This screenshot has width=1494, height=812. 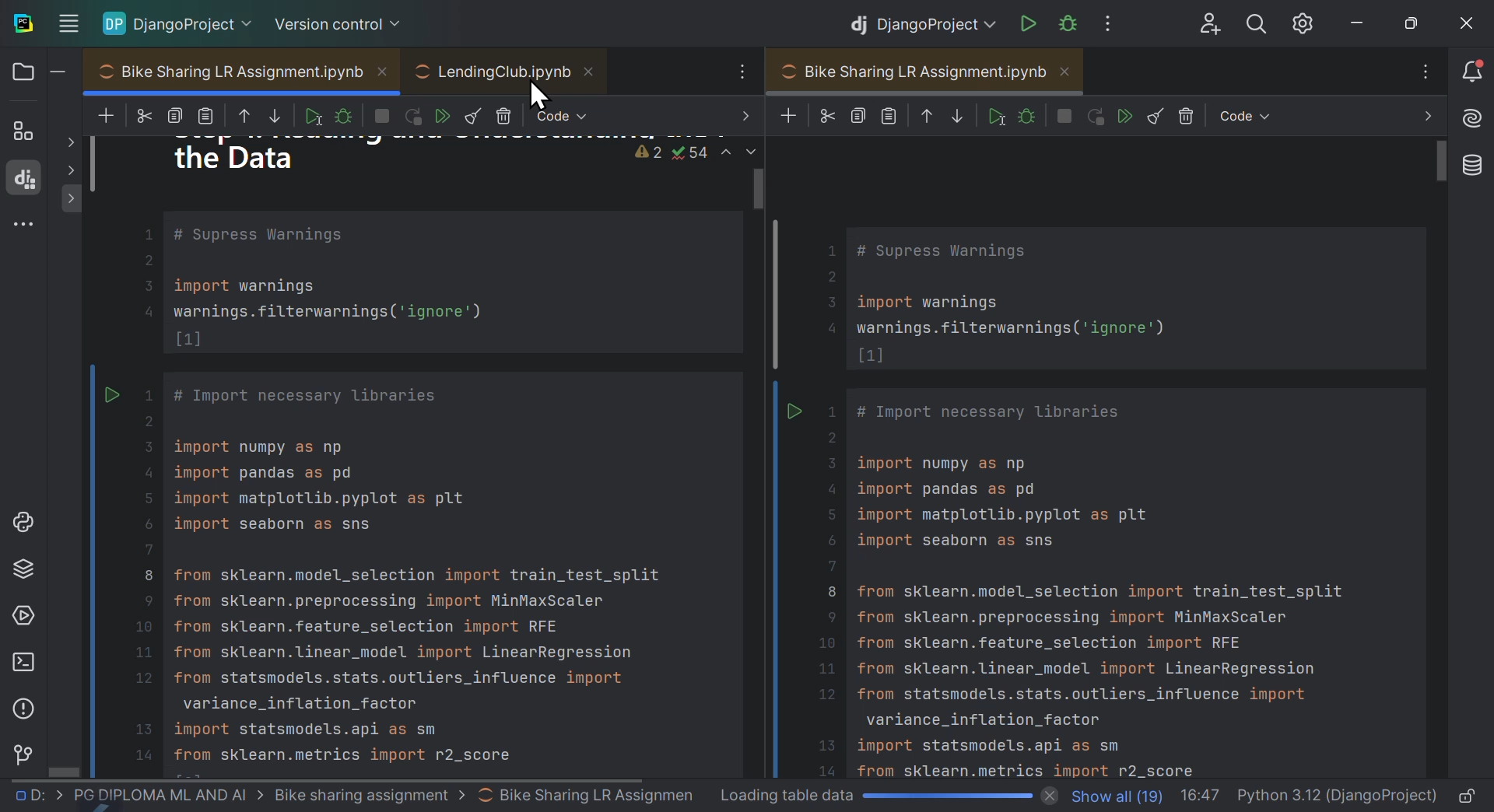 I want to click on add cell below, so click(x=786, y=115).